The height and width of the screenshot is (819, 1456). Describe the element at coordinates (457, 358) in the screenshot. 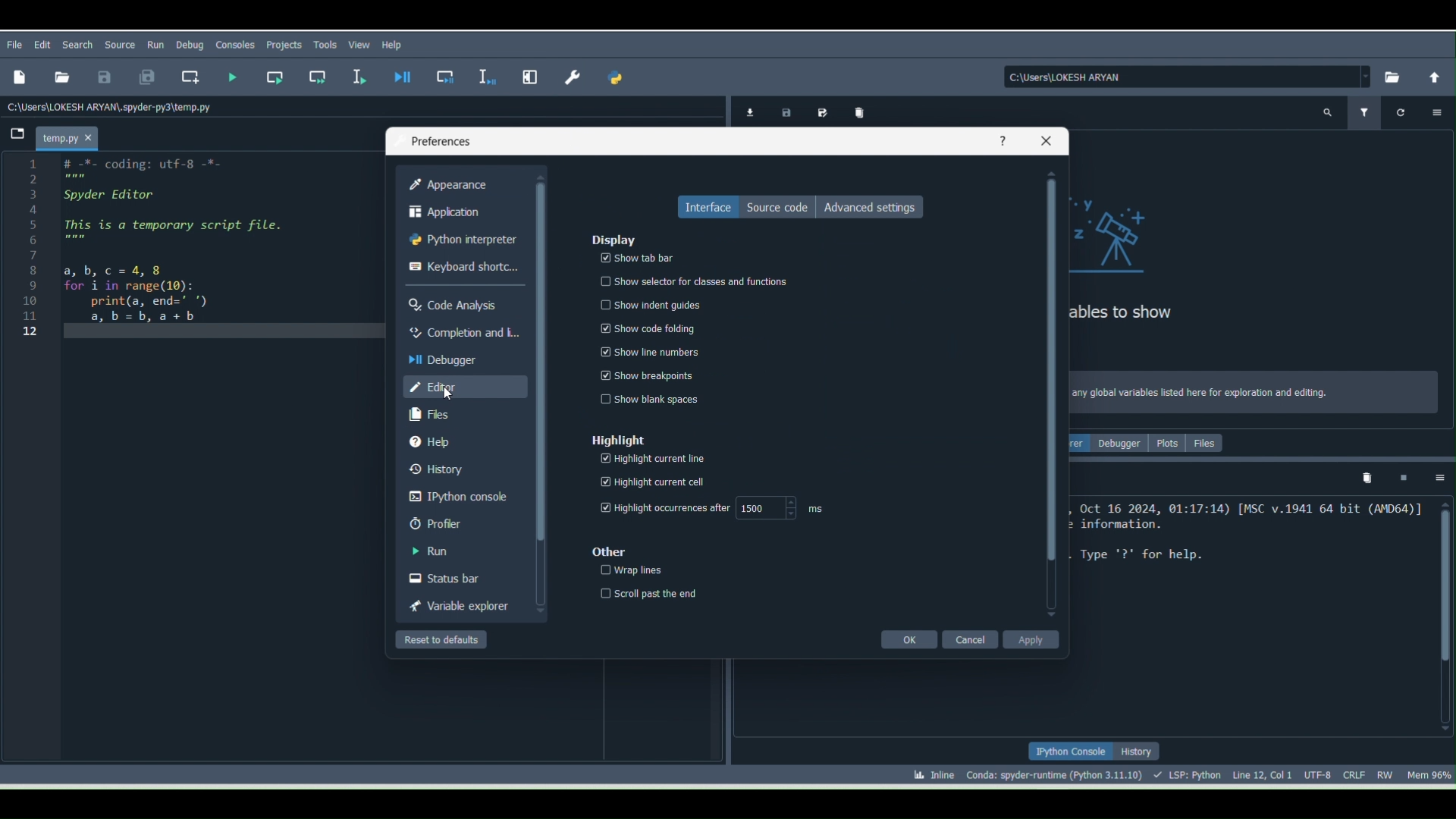

I see `Debugger` at that location.